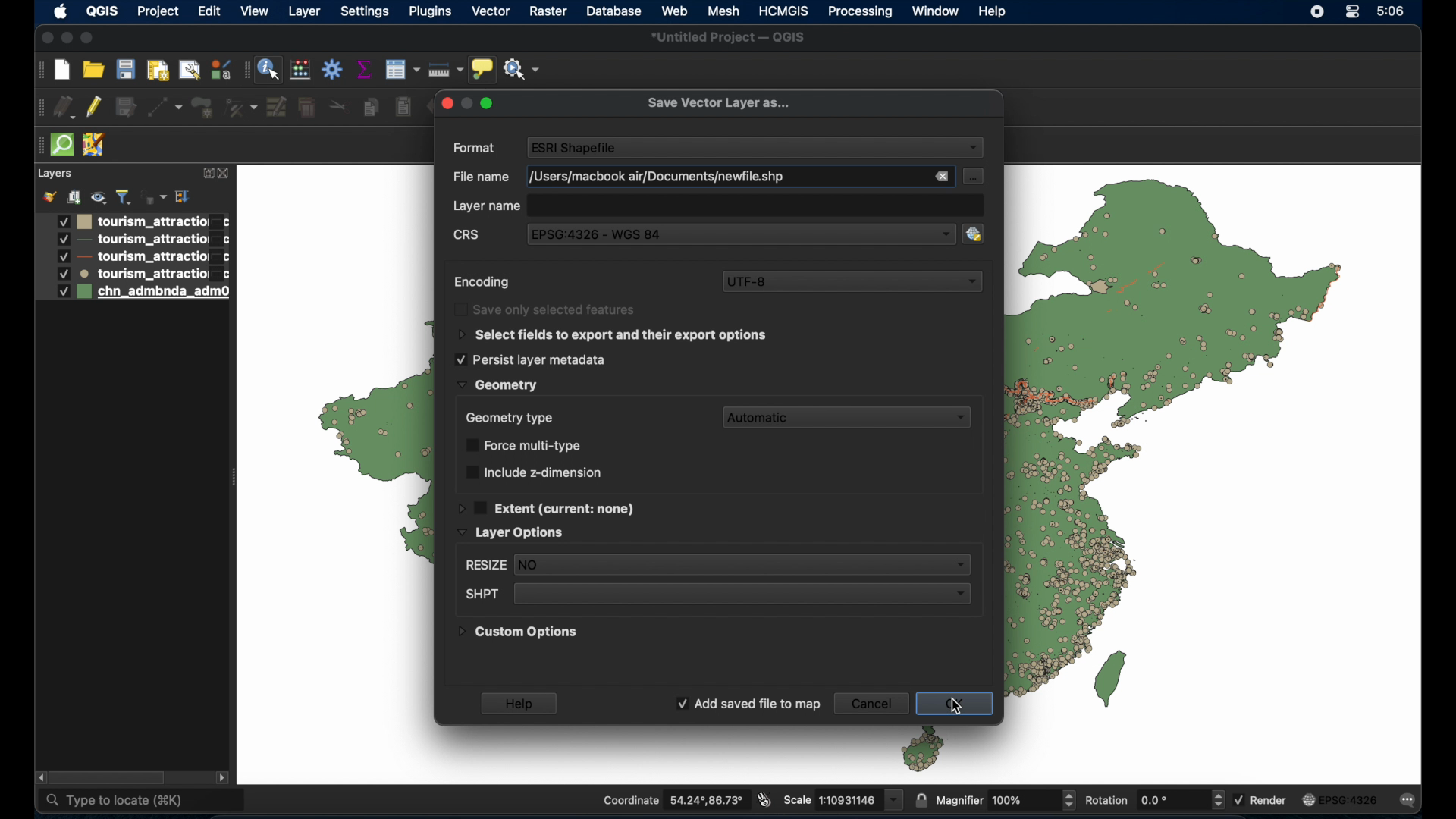  What do you see at coordinates (61, 146) in the screenshot?
I see `quick osm` at bounding box center [61, 146].